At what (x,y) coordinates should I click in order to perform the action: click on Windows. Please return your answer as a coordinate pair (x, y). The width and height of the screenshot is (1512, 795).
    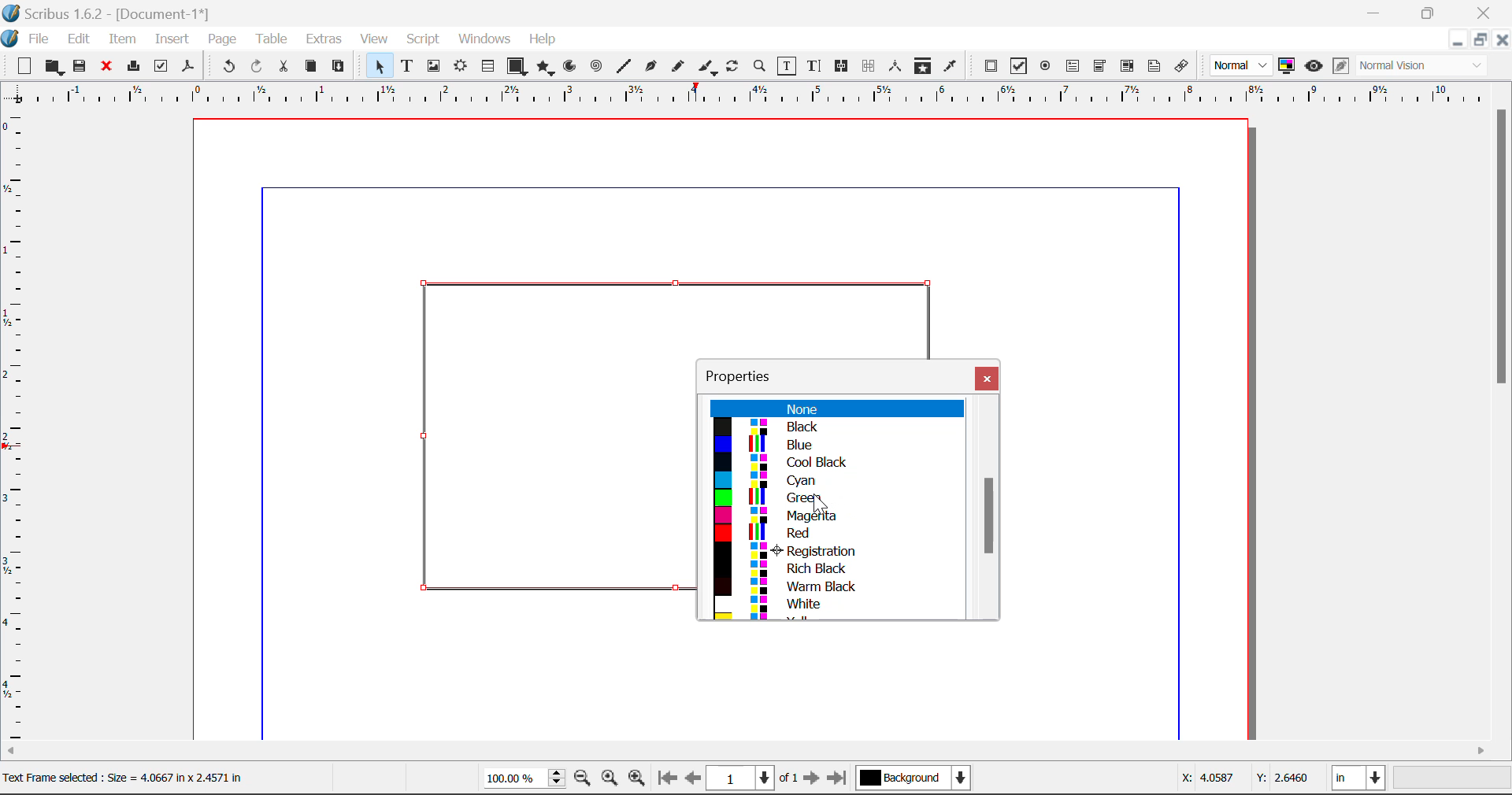
    Looking at the image, I should click on (484, 40).